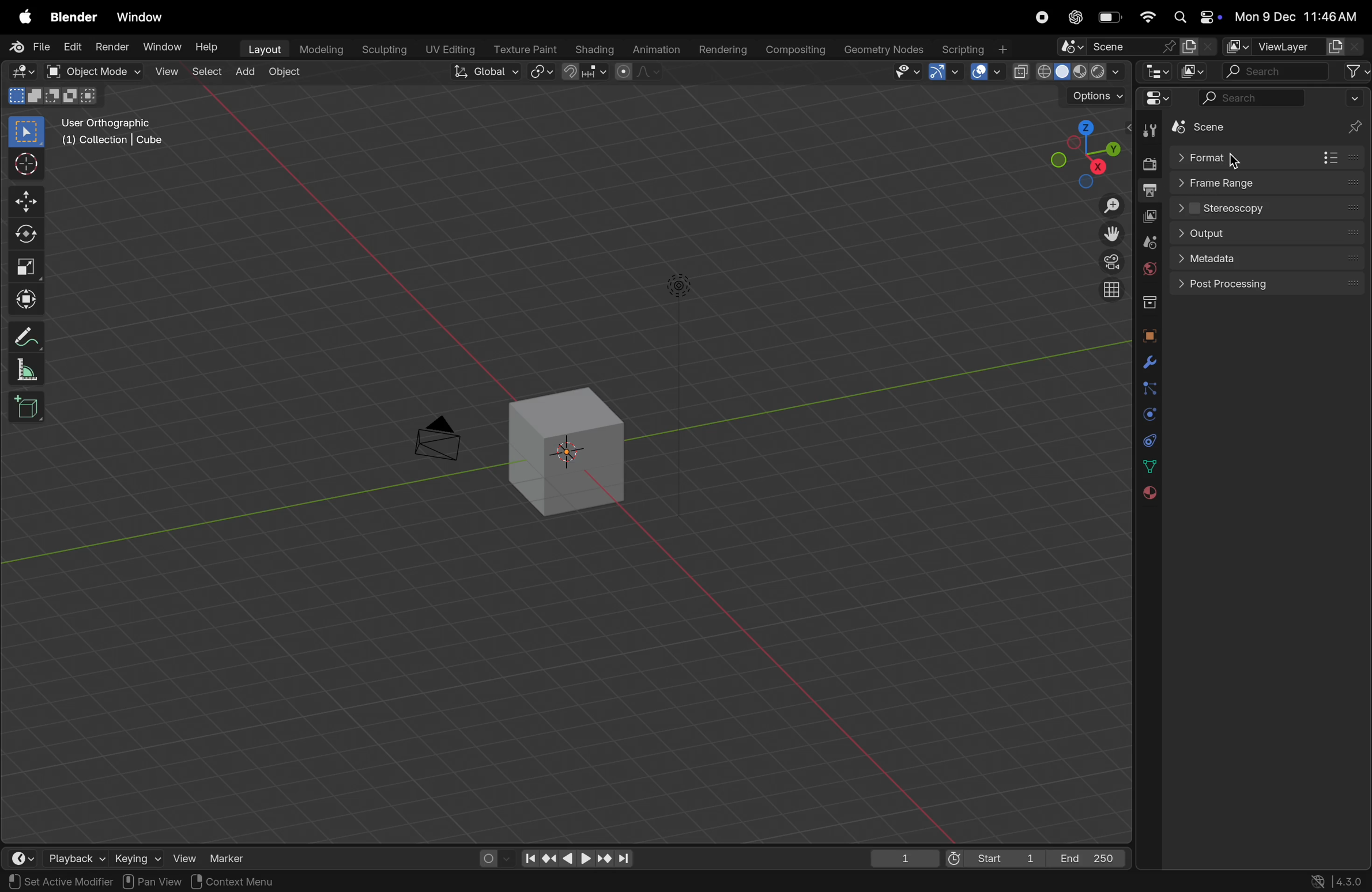 This screenshot has height=892, width=1372. Describe the element at coordinates (31, 408) in the screenshot. I see `add cube` at that location.